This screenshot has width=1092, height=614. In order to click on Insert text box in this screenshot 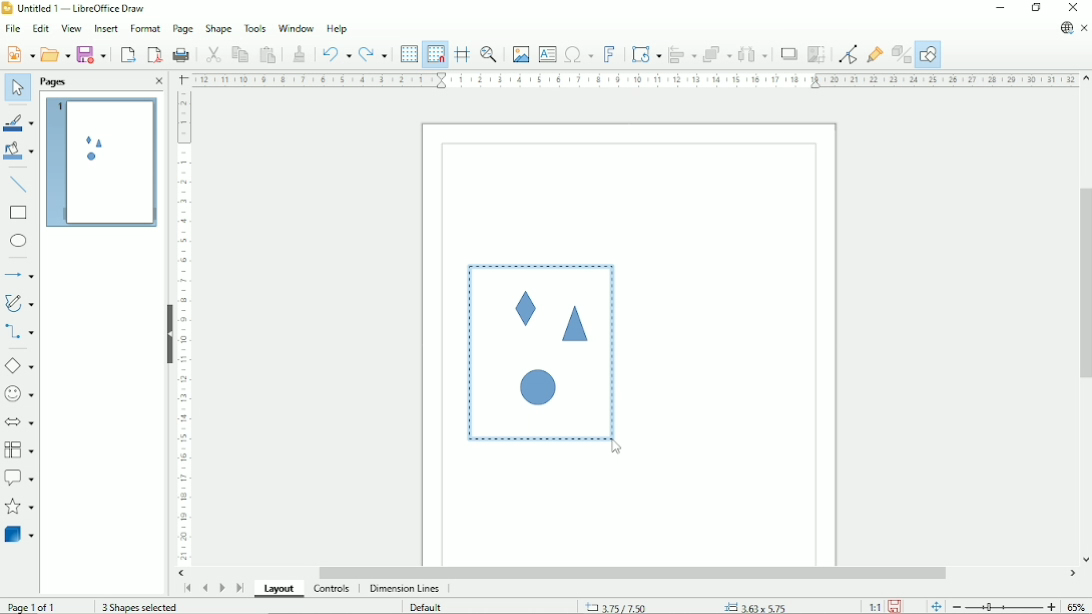, I will do `click(547, 54)`.